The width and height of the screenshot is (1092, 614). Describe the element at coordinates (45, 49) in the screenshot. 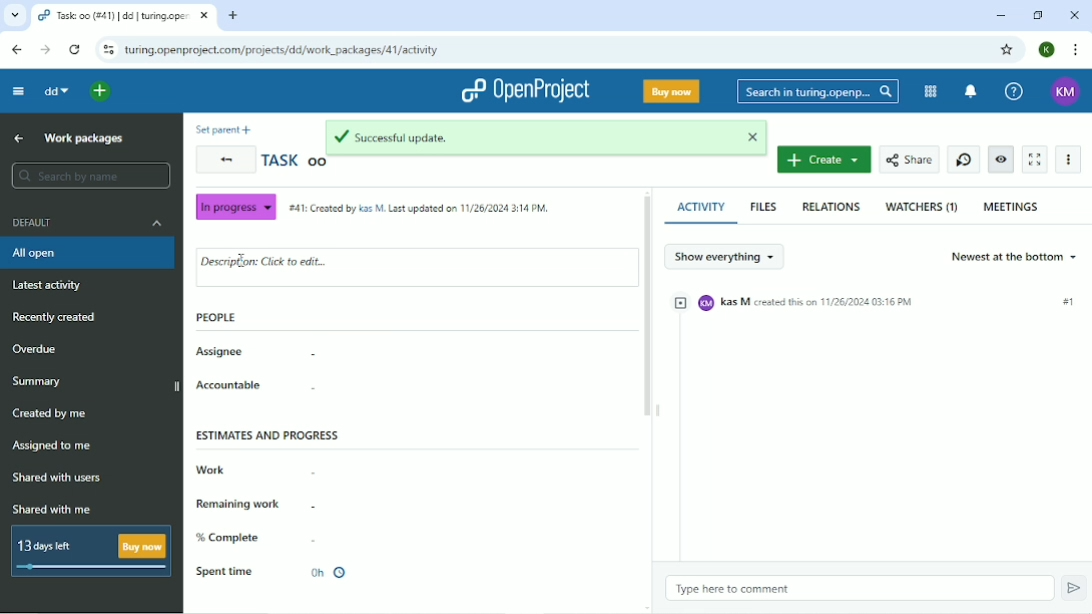

I see `Forward` at that location.